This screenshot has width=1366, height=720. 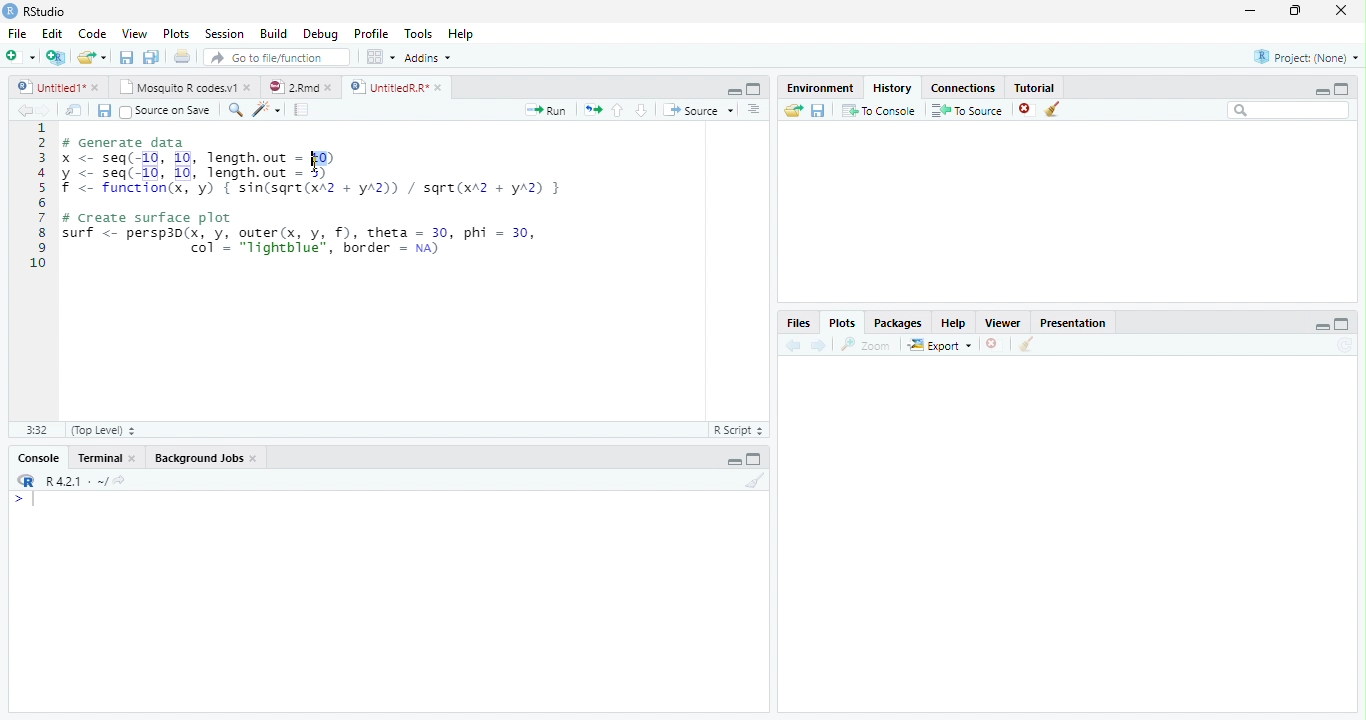 What do you see at coordinates (99, 458) in the screenshot?
I see `Terminal` at bounding box center [99, 458].